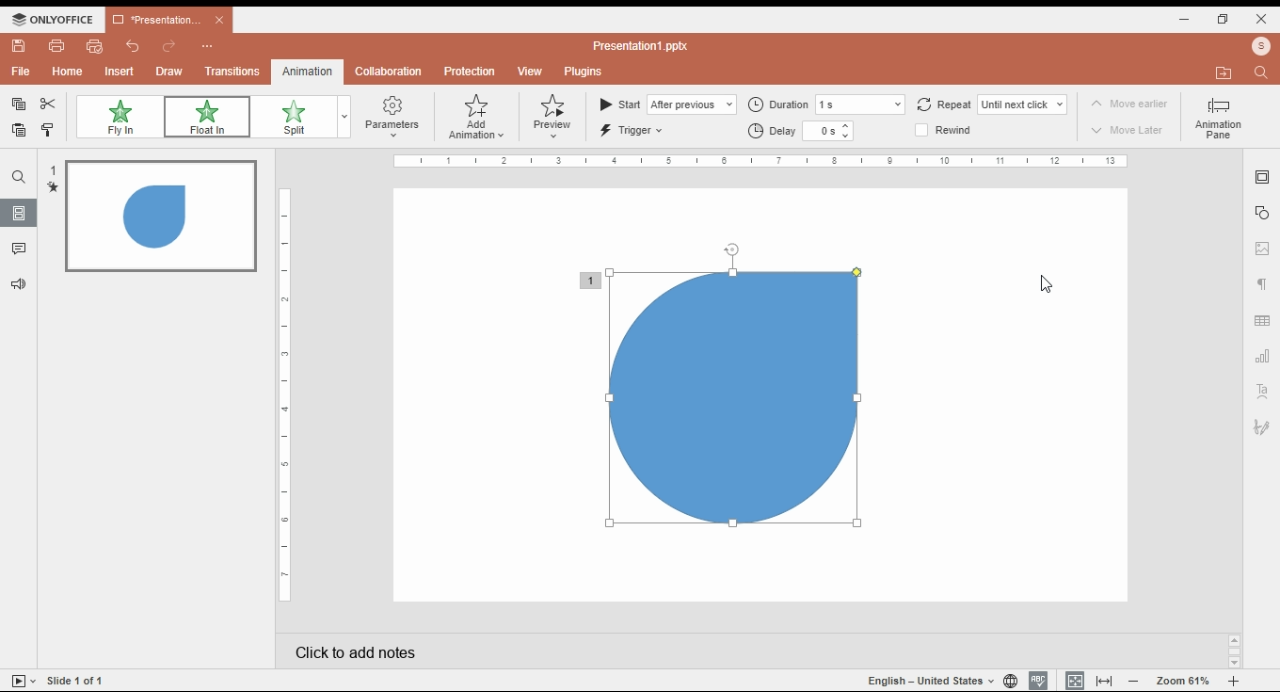  Describe the element at coordinates (19, 105) in the screenshot. I see `copy` at that location.